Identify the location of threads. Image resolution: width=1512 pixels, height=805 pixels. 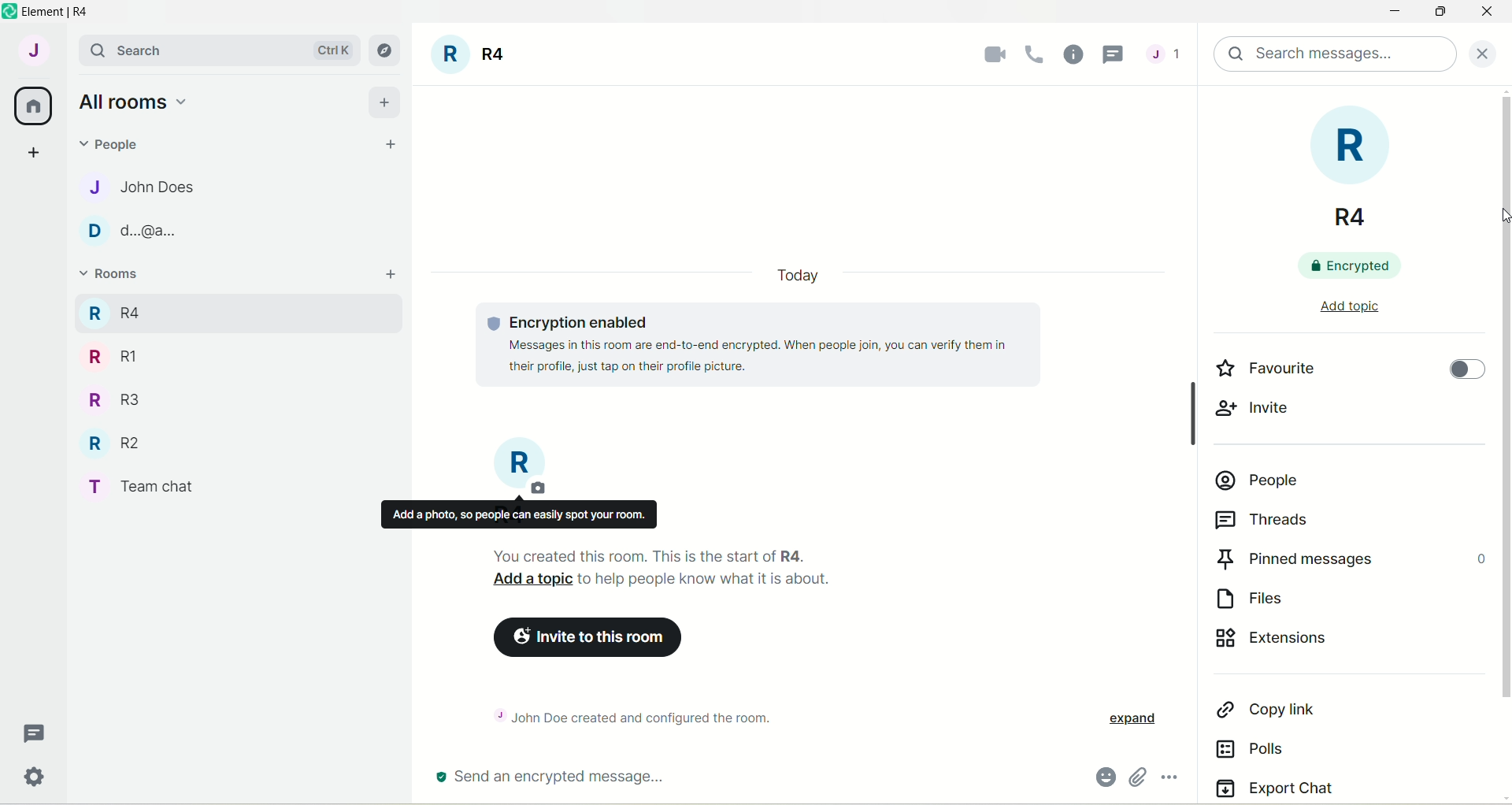
(35, 734).